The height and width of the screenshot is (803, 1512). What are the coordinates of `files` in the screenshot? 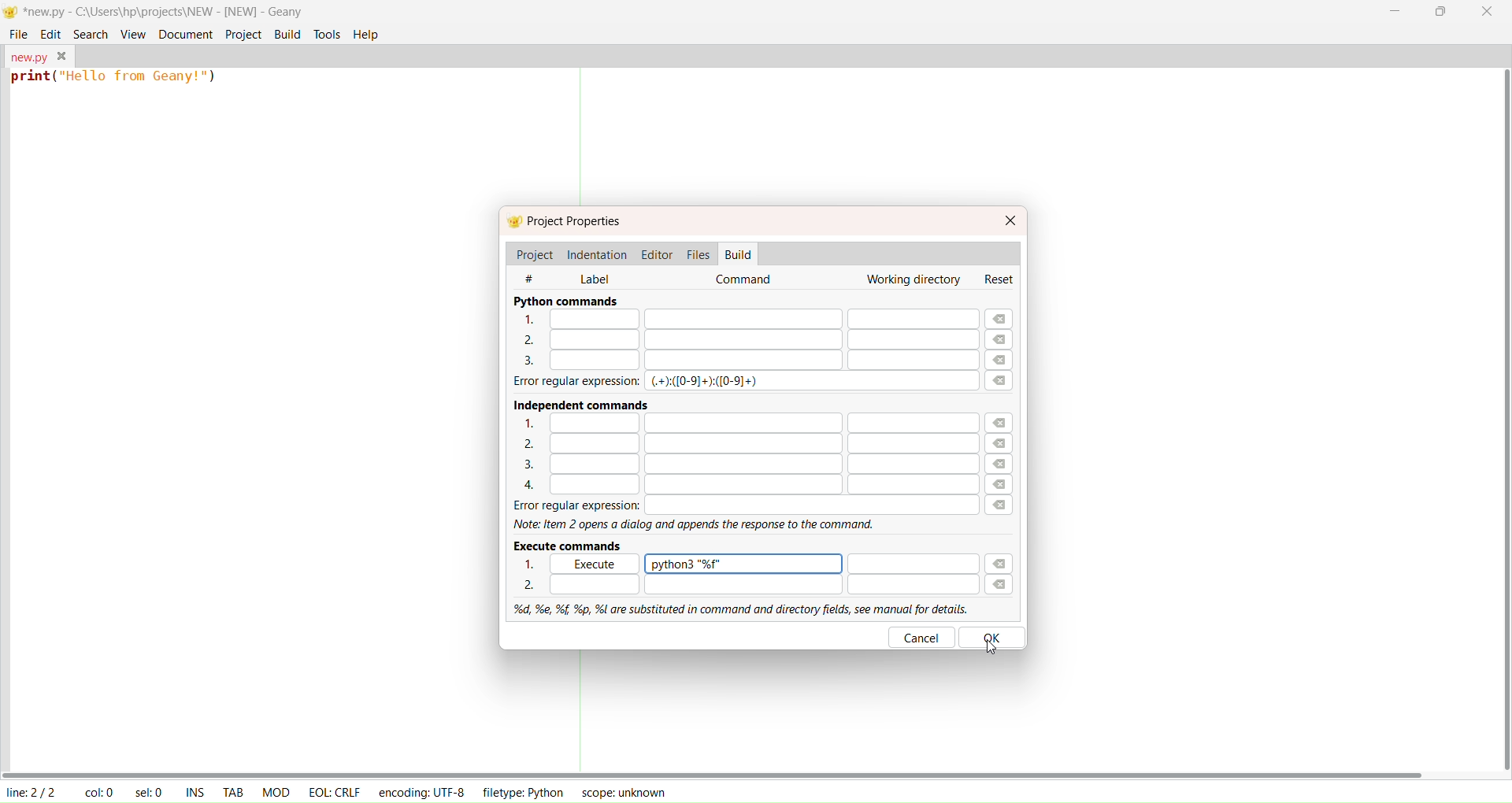 It's located at (698, 253).